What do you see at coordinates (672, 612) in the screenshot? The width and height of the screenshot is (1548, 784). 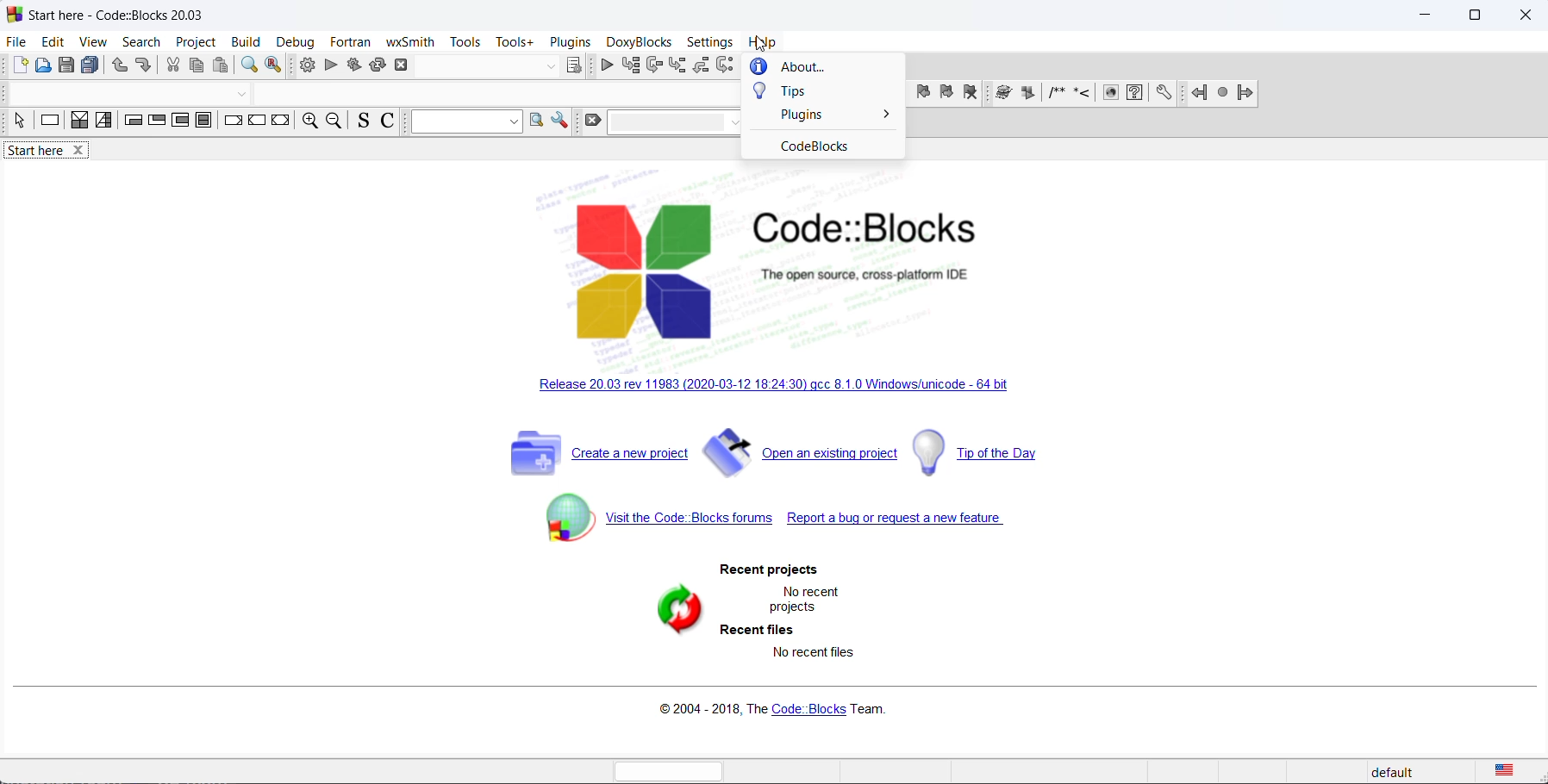 I see `refresh` at bounding box center [672, 612].